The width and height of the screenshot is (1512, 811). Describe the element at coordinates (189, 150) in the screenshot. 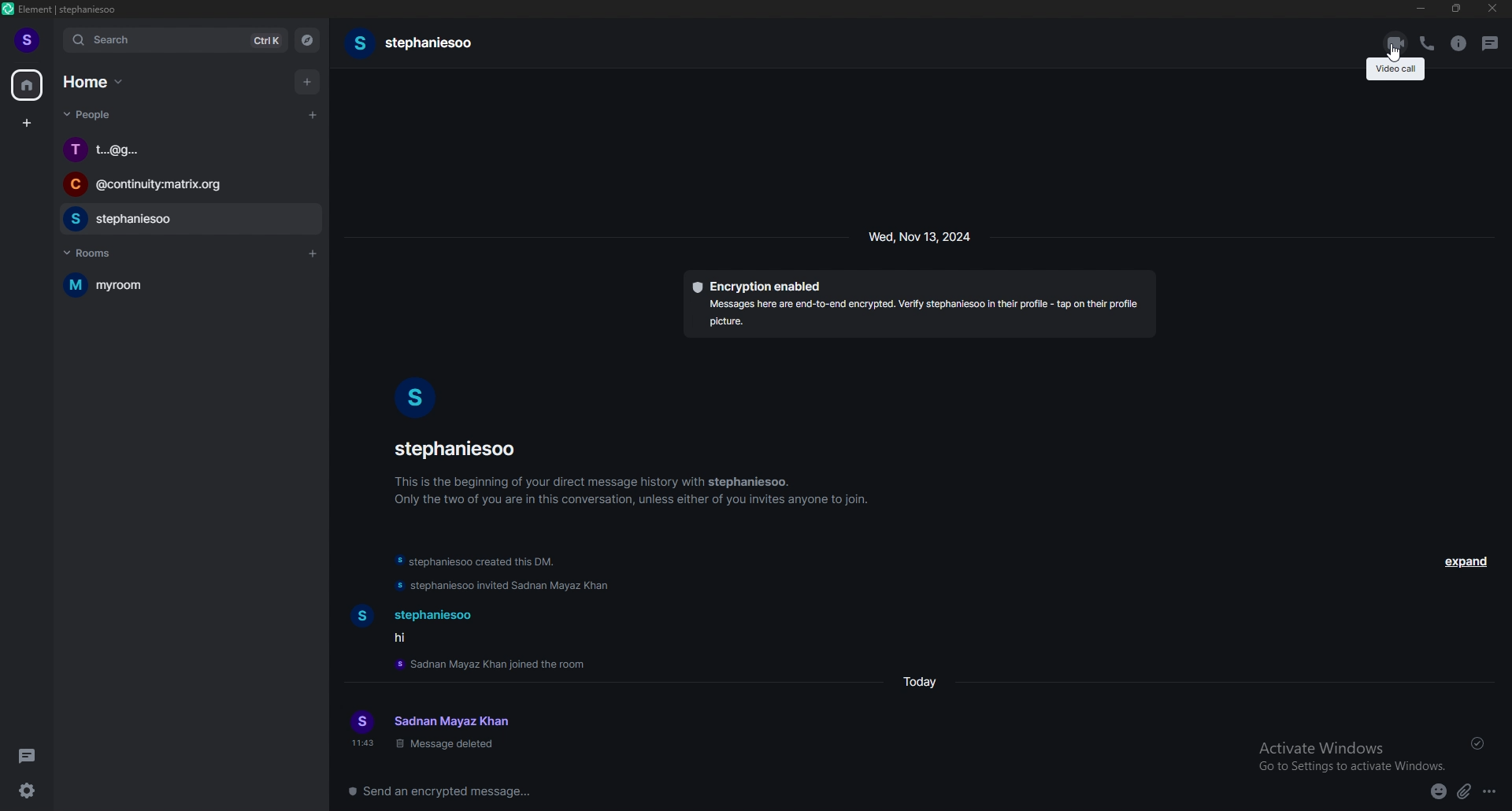

I see `chat` at that location.